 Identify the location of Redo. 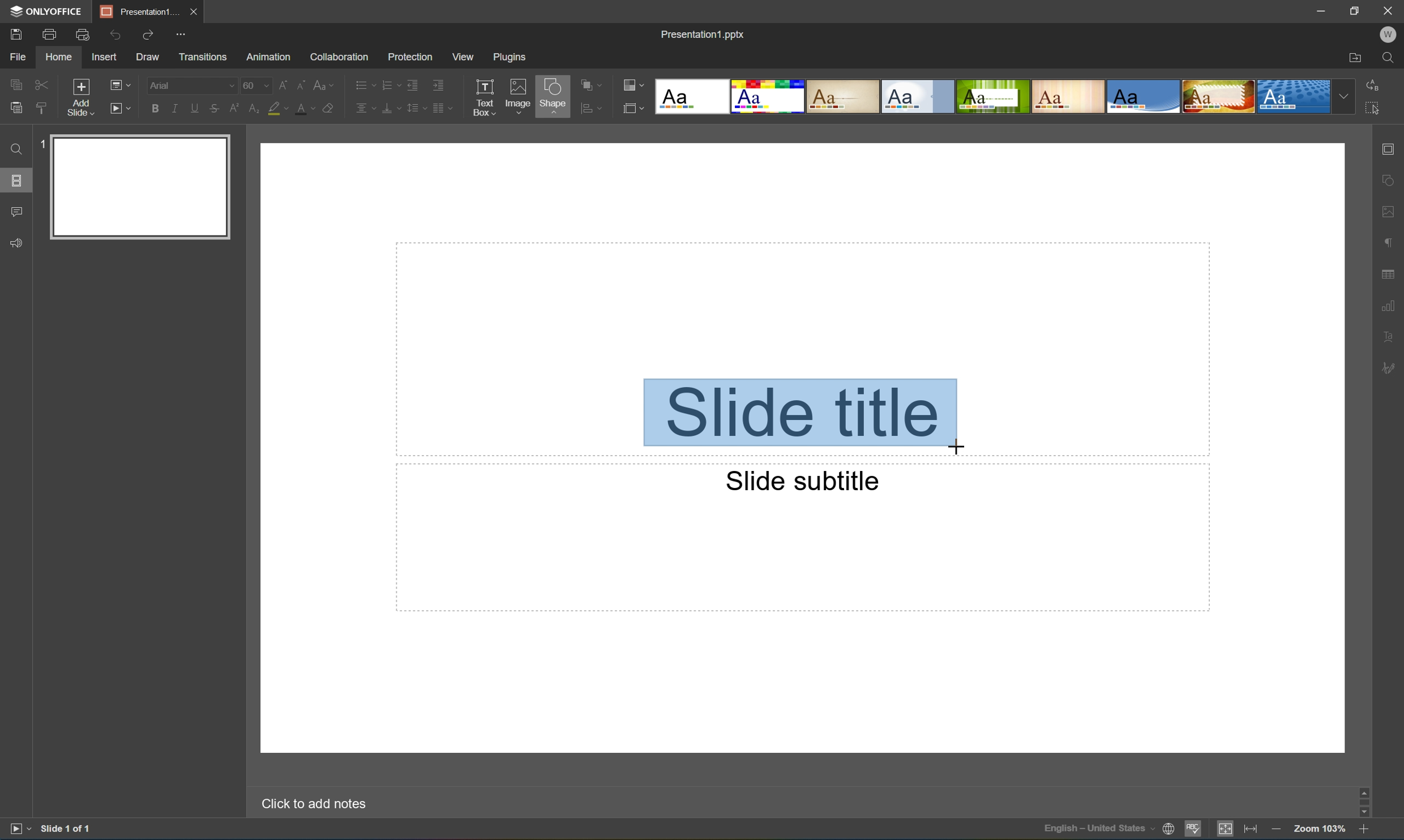
(148, 33).